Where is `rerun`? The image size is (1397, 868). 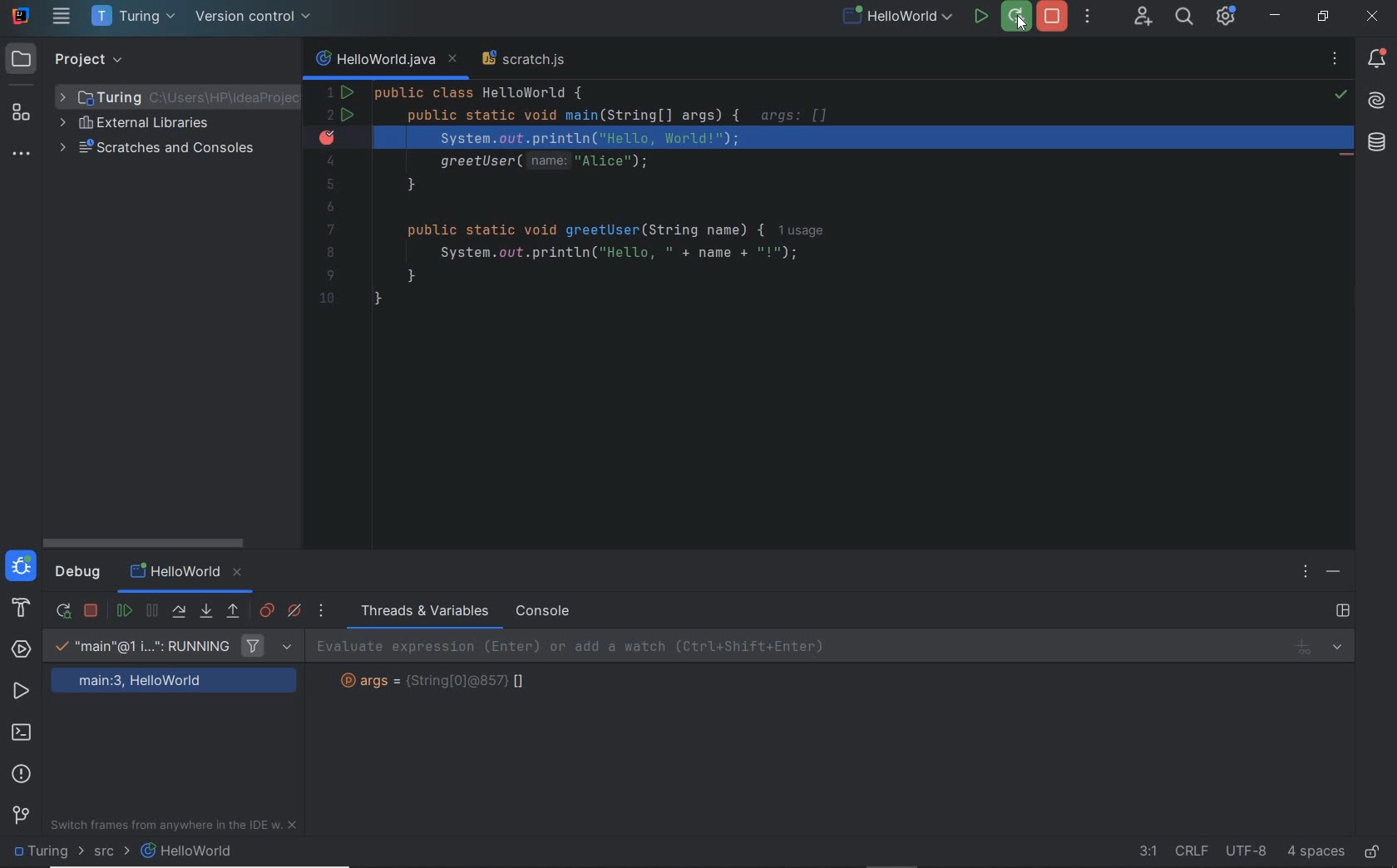
rerun is located at coordinates (64, 609).